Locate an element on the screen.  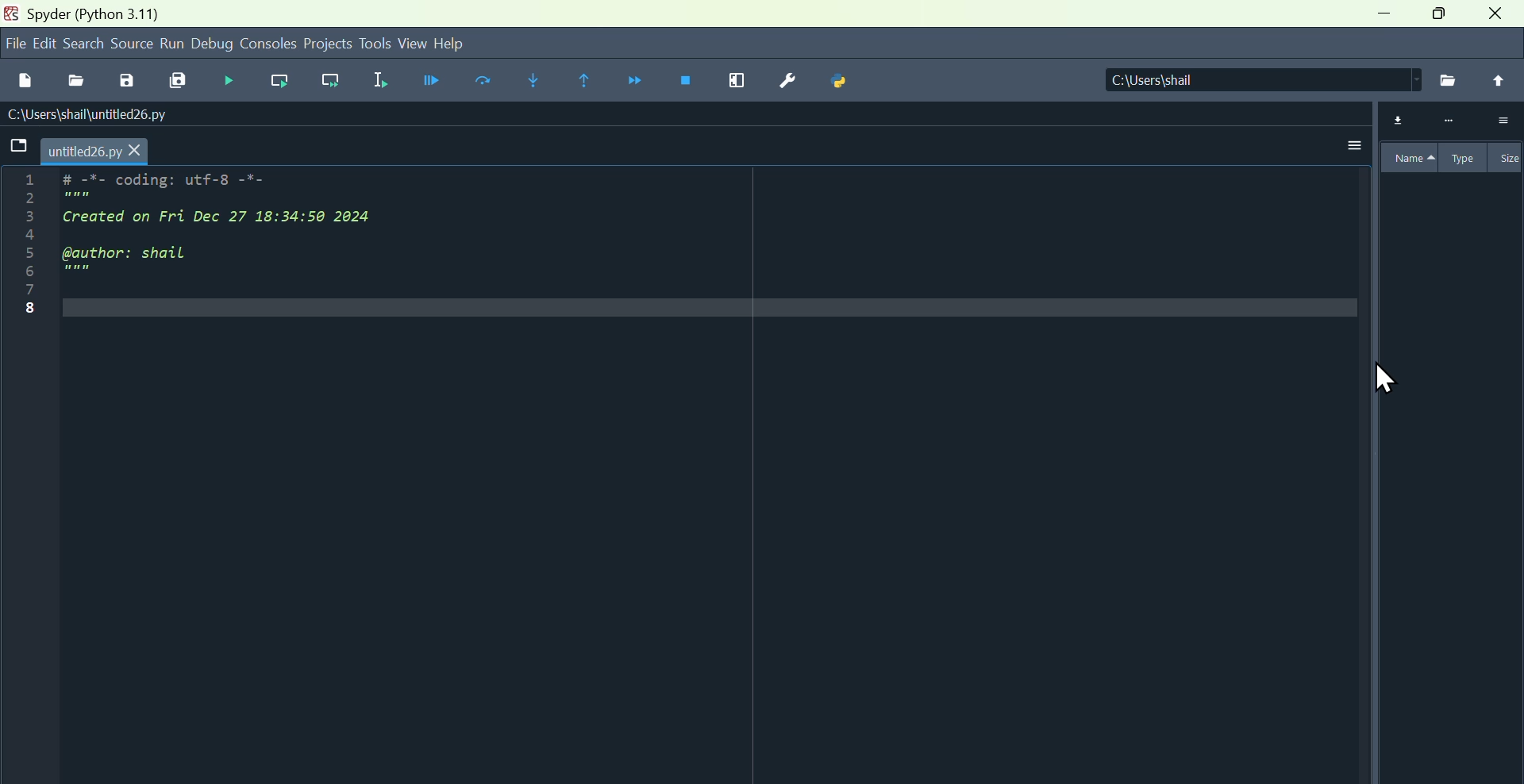
run is located at coordinates (172, 44).